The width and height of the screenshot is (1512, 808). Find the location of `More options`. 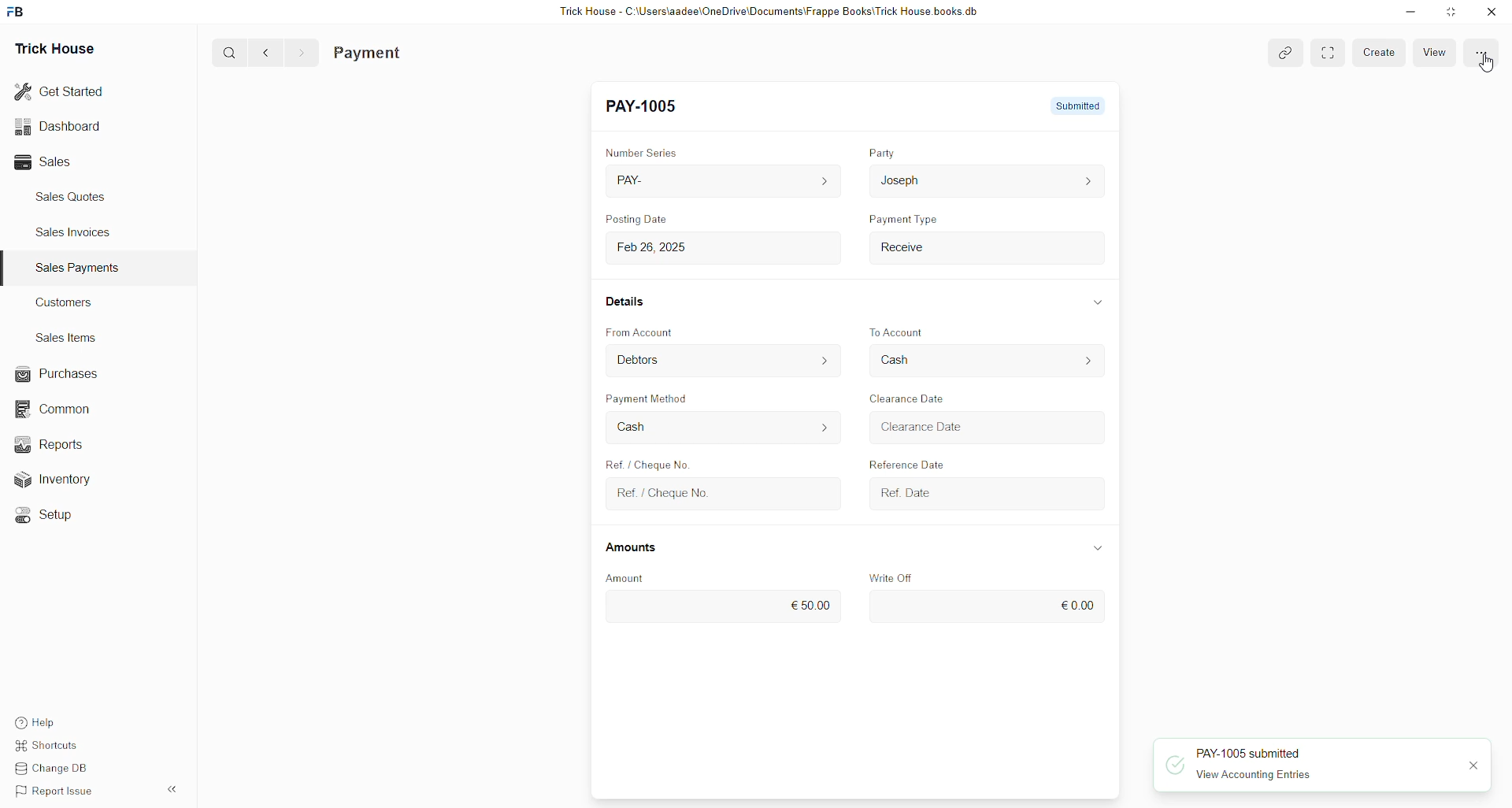

More options is located at coordinates (1327, 53).